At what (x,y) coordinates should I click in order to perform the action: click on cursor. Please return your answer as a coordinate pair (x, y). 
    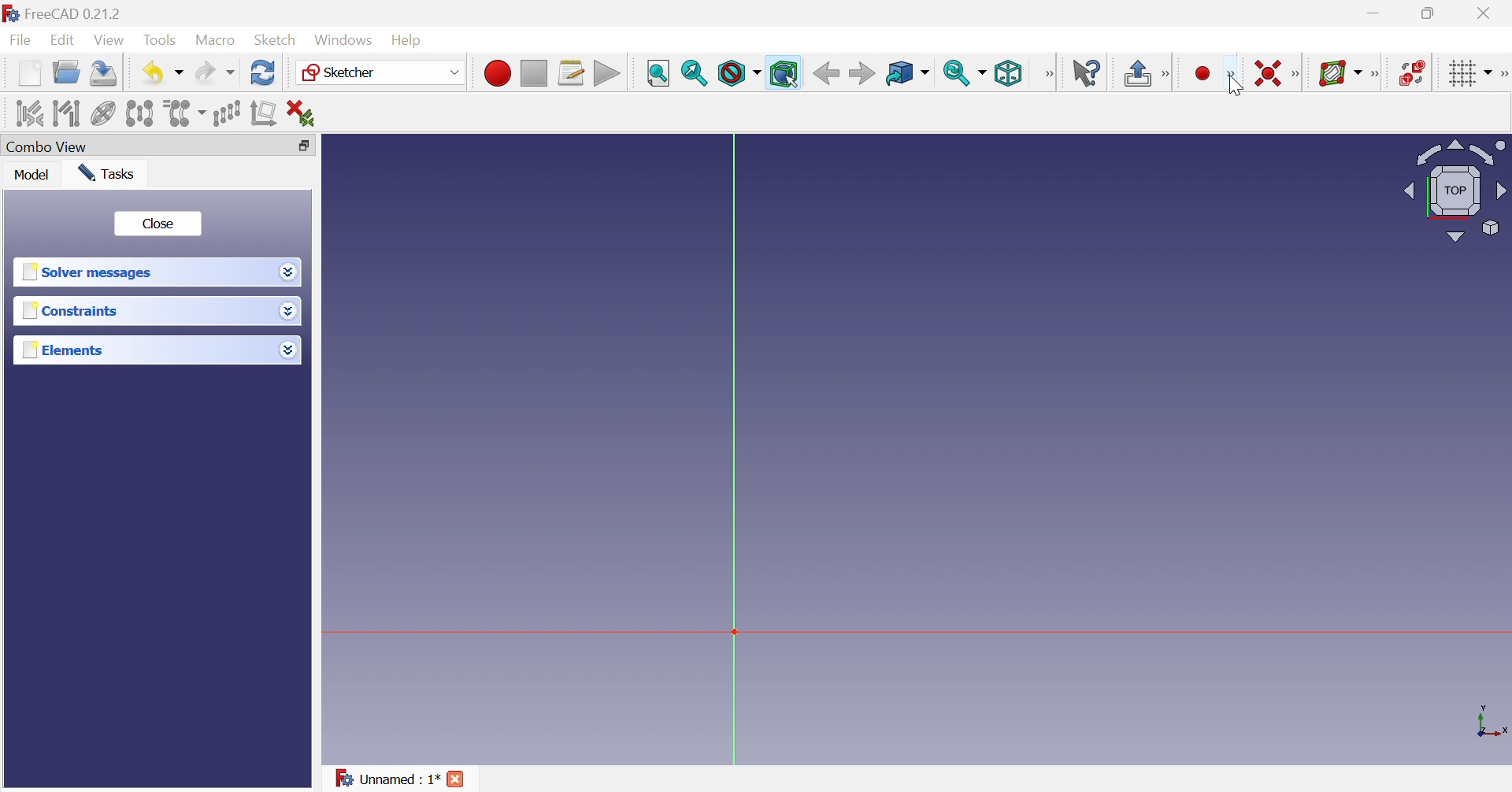
    Looking at the image, I should click on (1235, 90).